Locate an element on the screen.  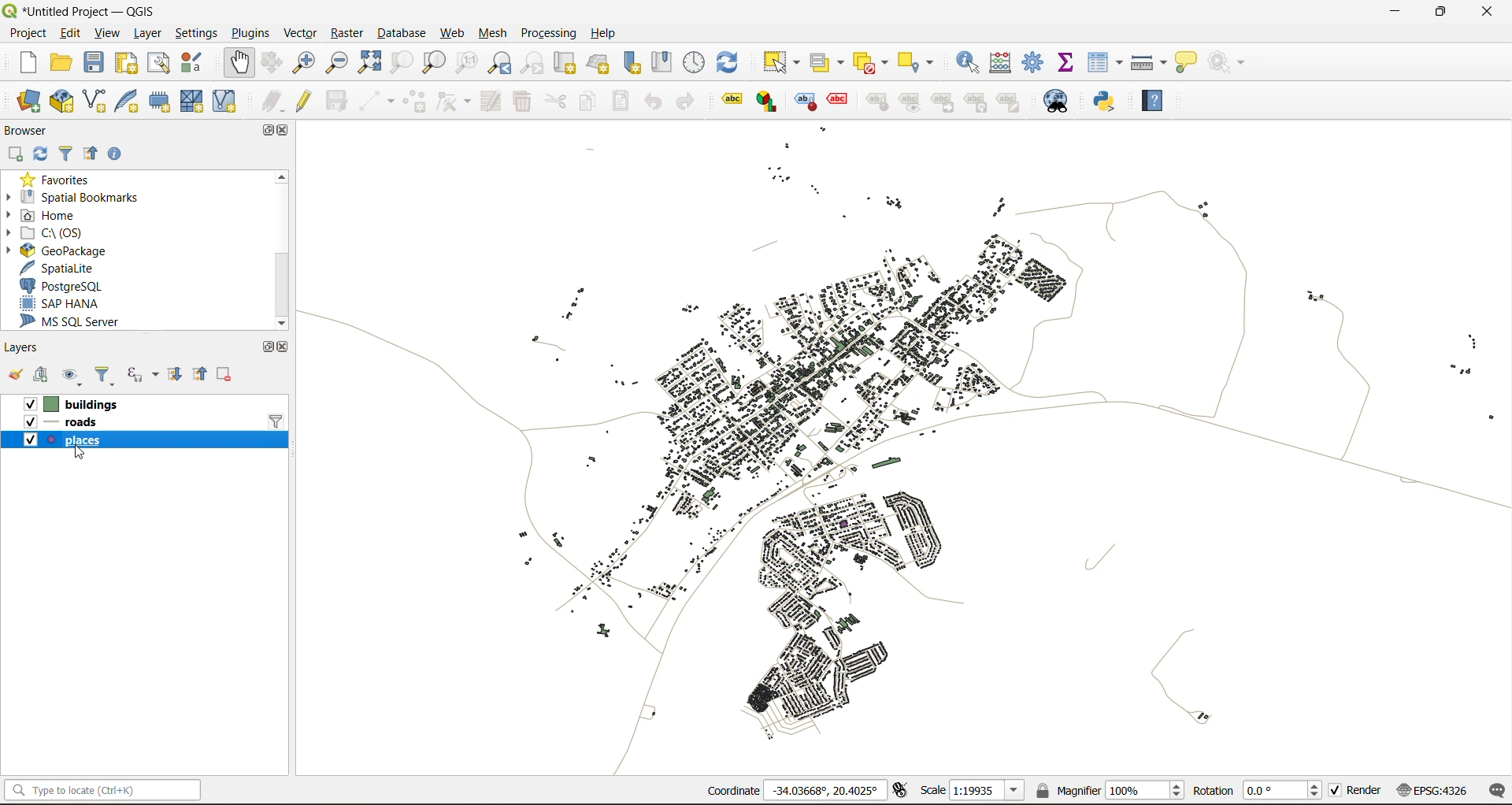
print layout is located at coordinates (132, 63).